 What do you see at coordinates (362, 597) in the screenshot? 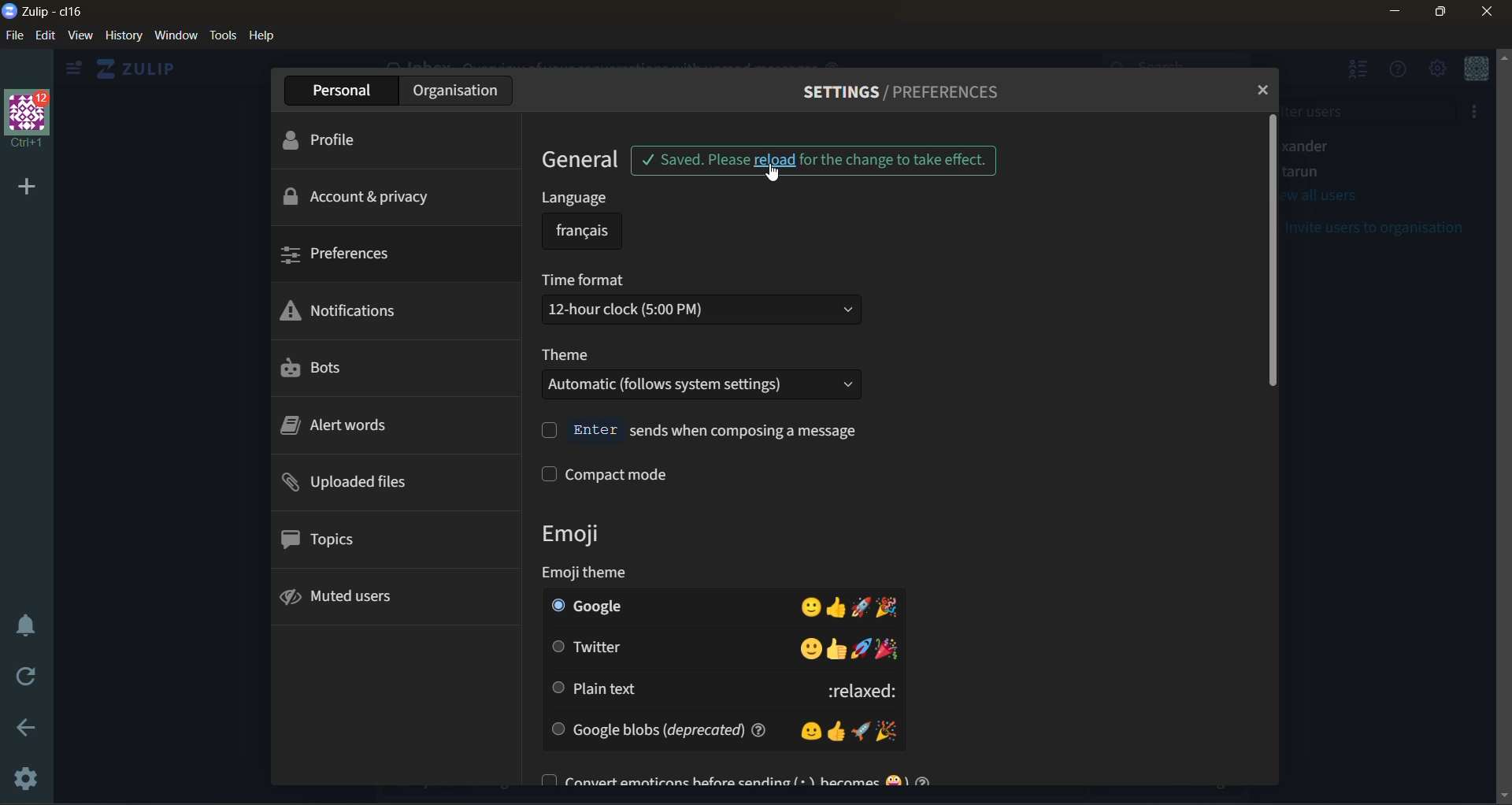
I see `muted users` at bounding box center [362, 597].